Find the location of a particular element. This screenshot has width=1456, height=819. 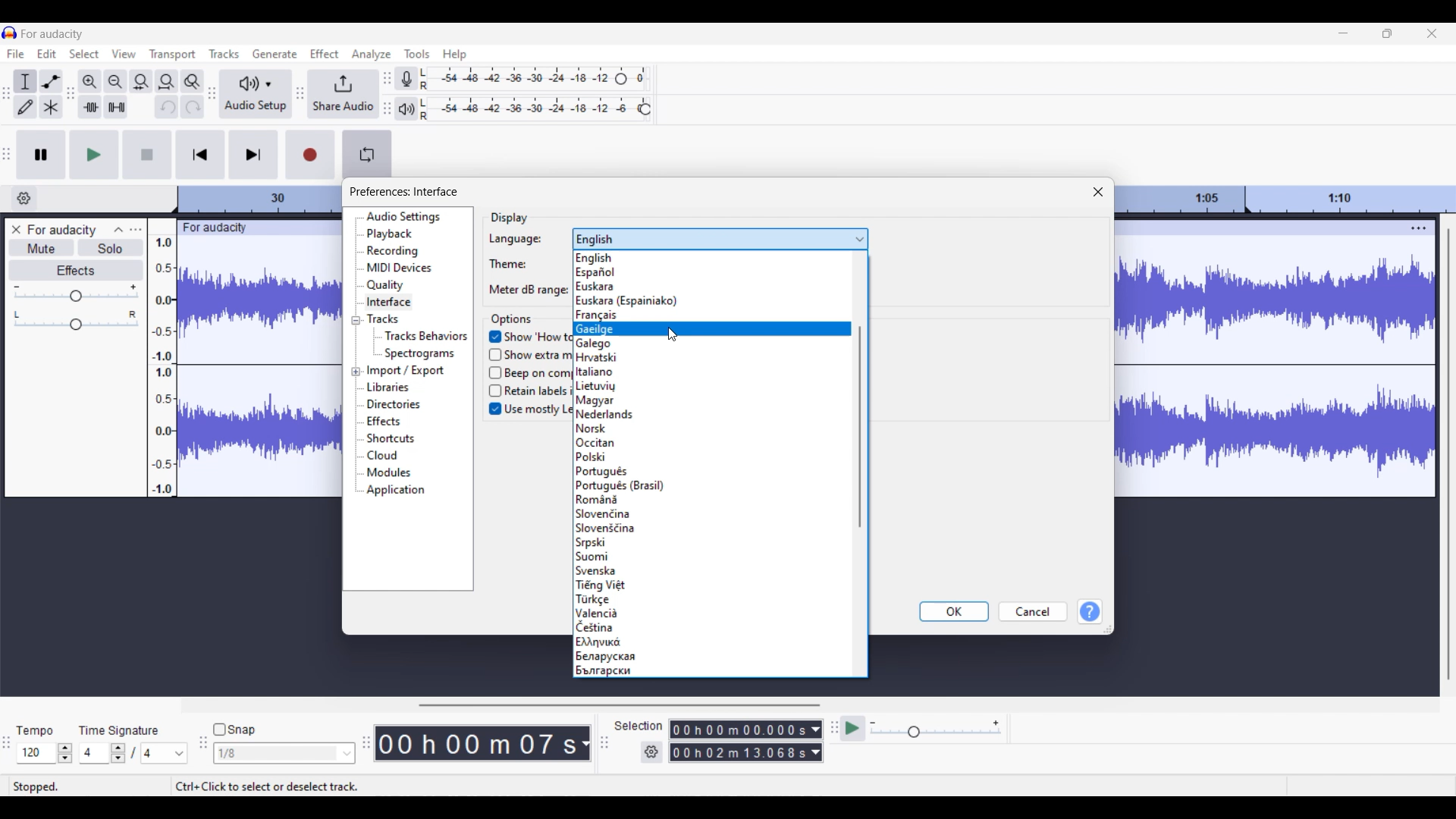

Silence audio selection is located at coordinates (117, 106).